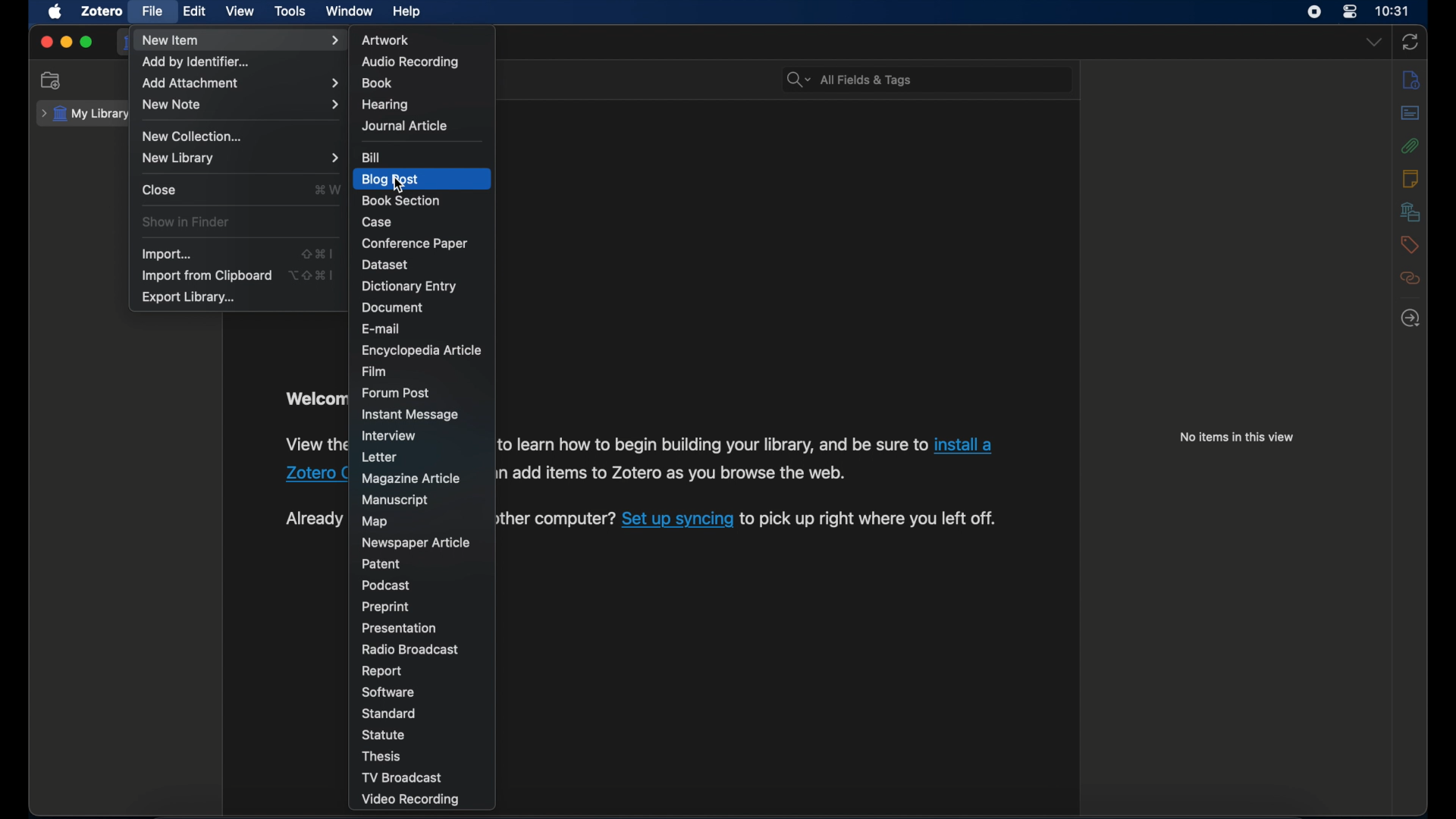  What do you see at coordinates (313, 399) in the screenshot?
I see `obscure text` at bounding box center [313, 399].